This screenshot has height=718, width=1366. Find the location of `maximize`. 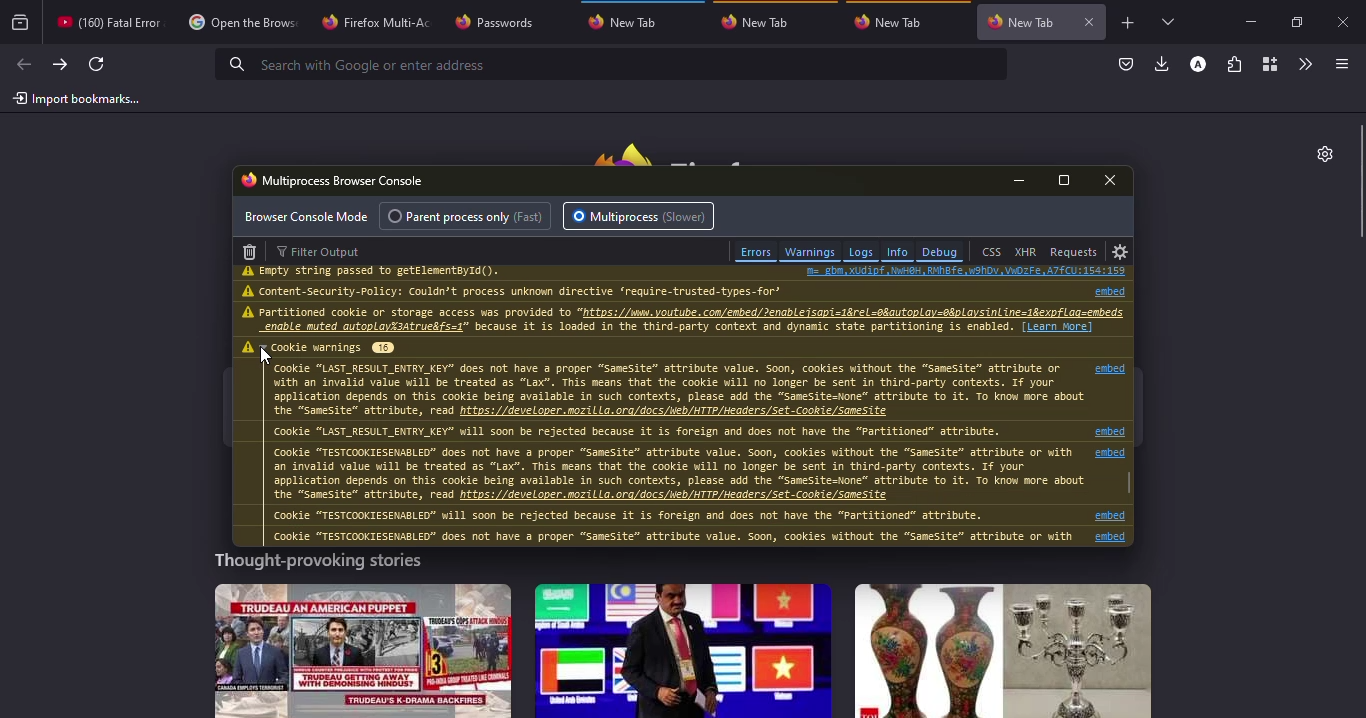

maximize is located at coordinates (1065, 181).